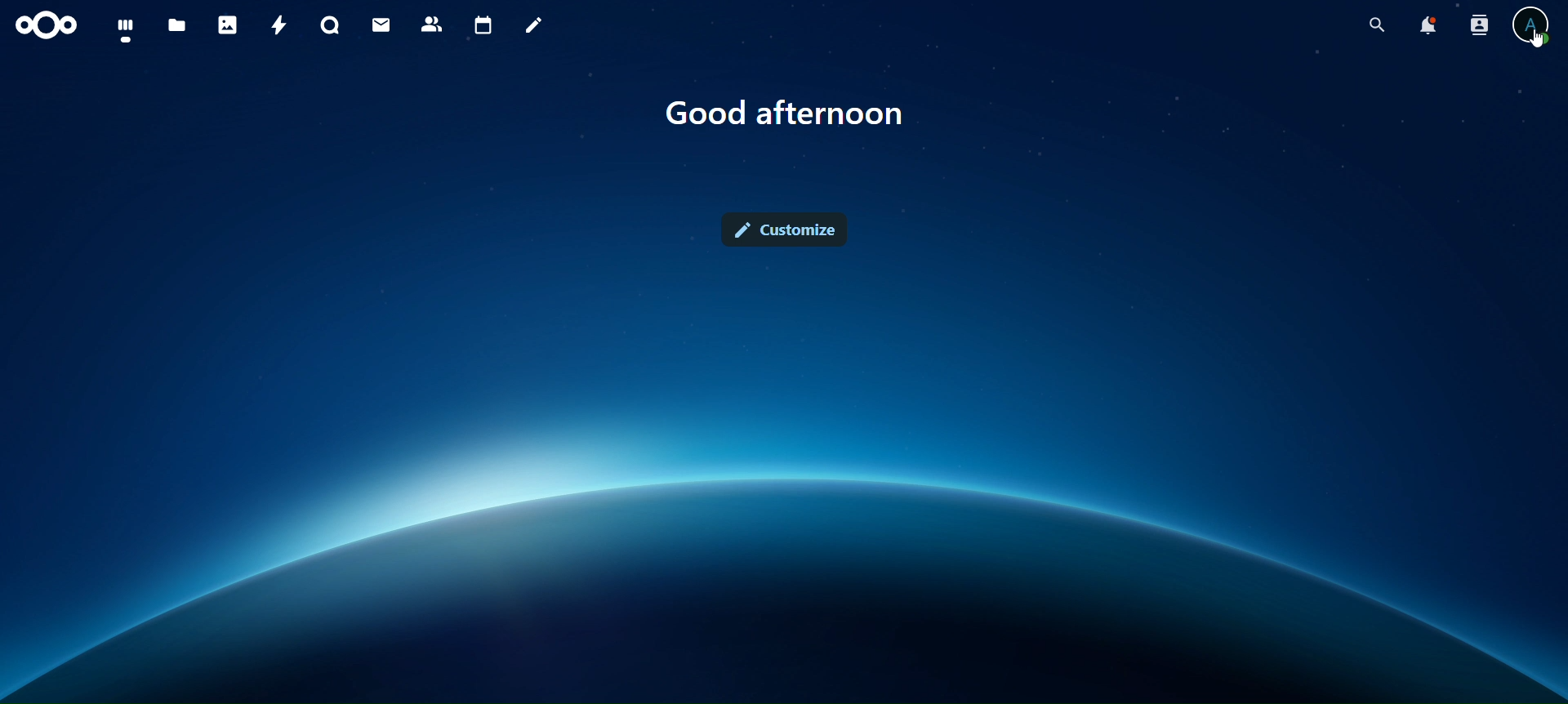  Describe the element at coordinates (787, 230) in the screenshot. I see `customize` at that location.